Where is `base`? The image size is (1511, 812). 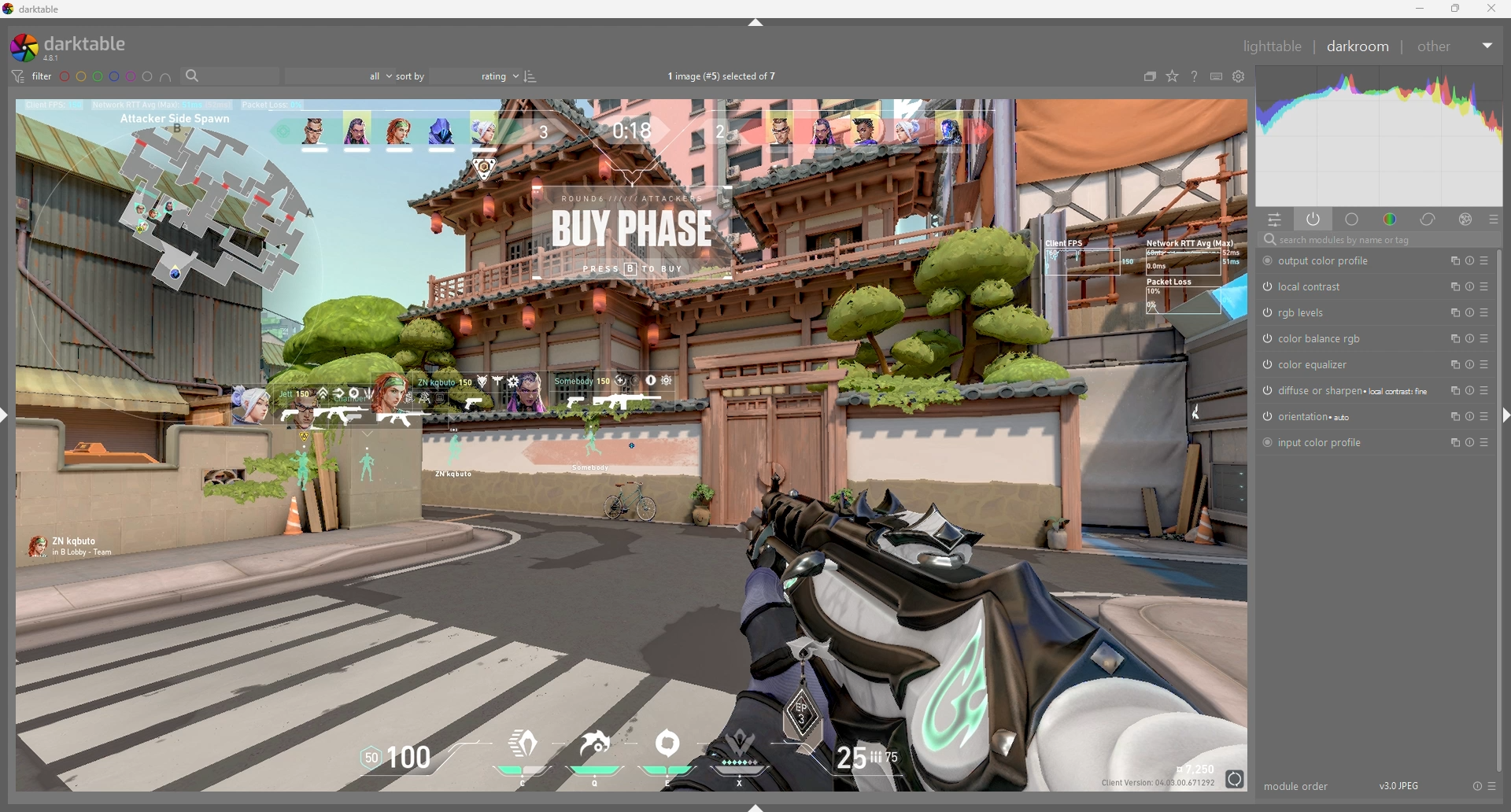
base is located at coordinates (1353, 219).